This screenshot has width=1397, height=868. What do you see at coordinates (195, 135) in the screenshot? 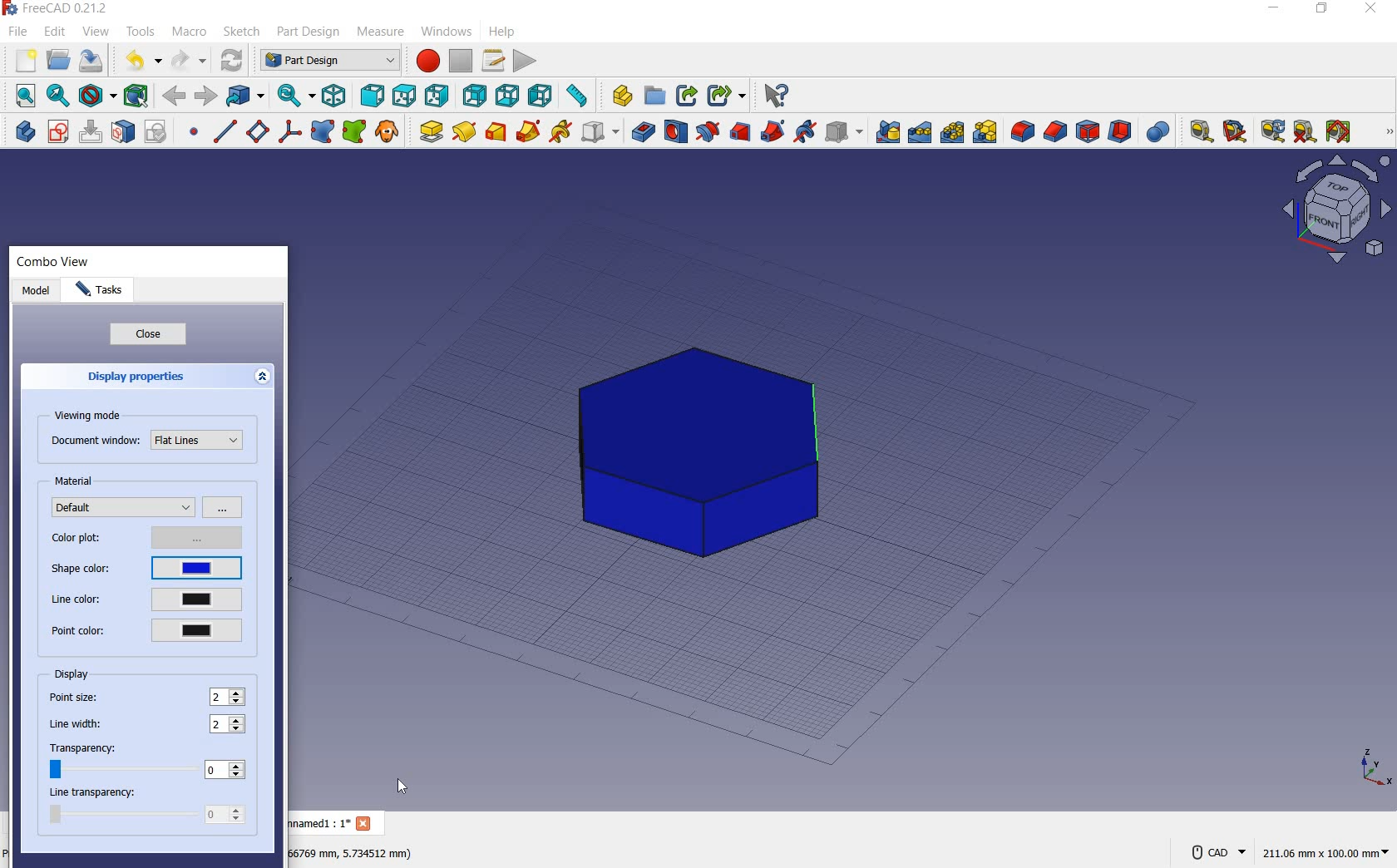
I see `create a datum point` at bounding box center [195, 135].